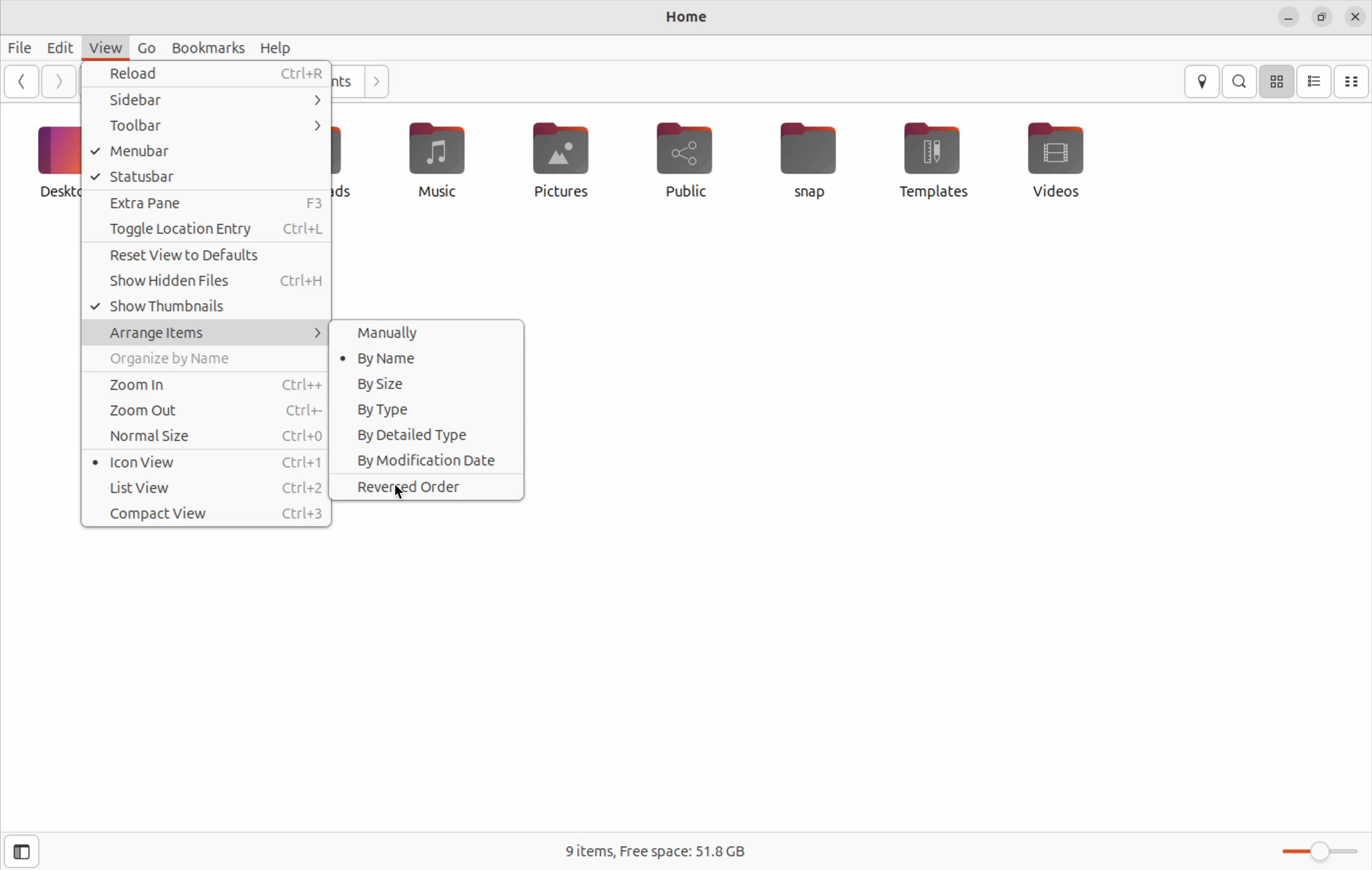  What do you see at coordinates (1314, 82) in the screenshot?
I see `list view` at bounding box center [1314, 82].